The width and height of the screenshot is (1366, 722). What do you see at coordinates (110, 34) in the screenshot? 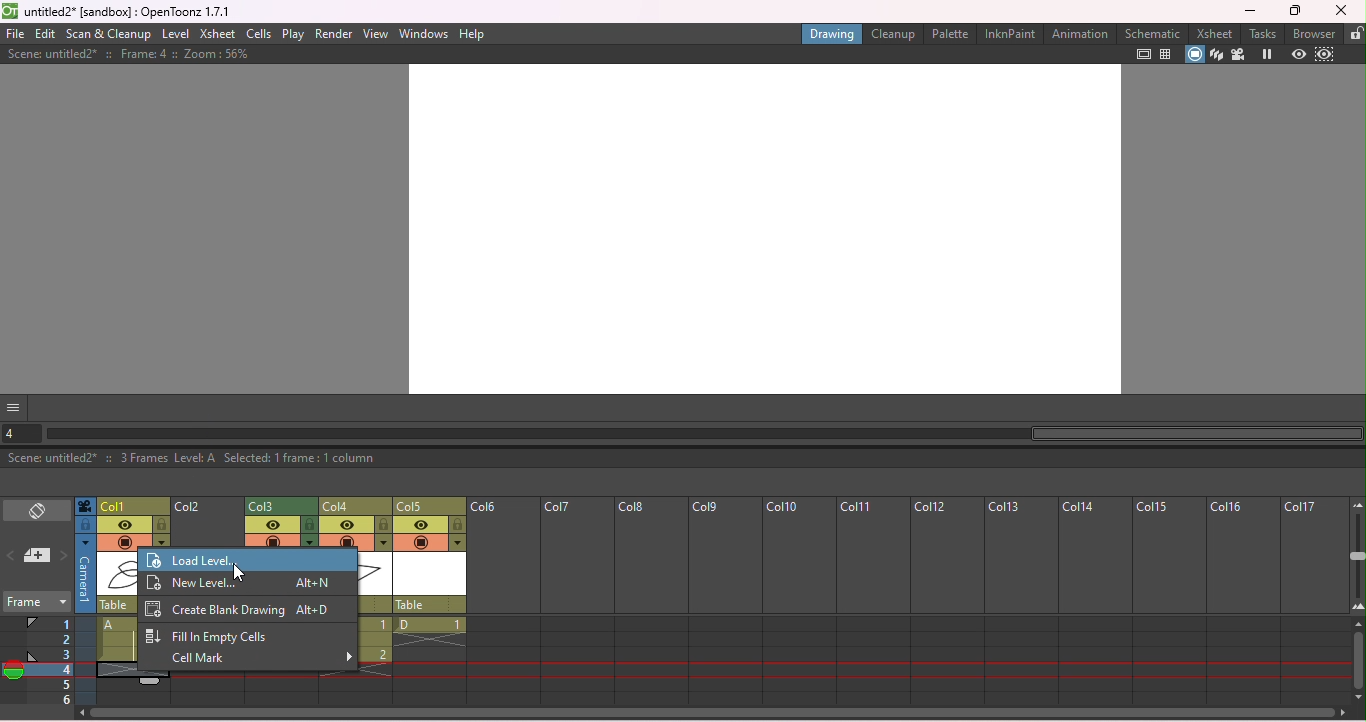
I see `Scan & Cleanup` at bounding box center [110, 34].